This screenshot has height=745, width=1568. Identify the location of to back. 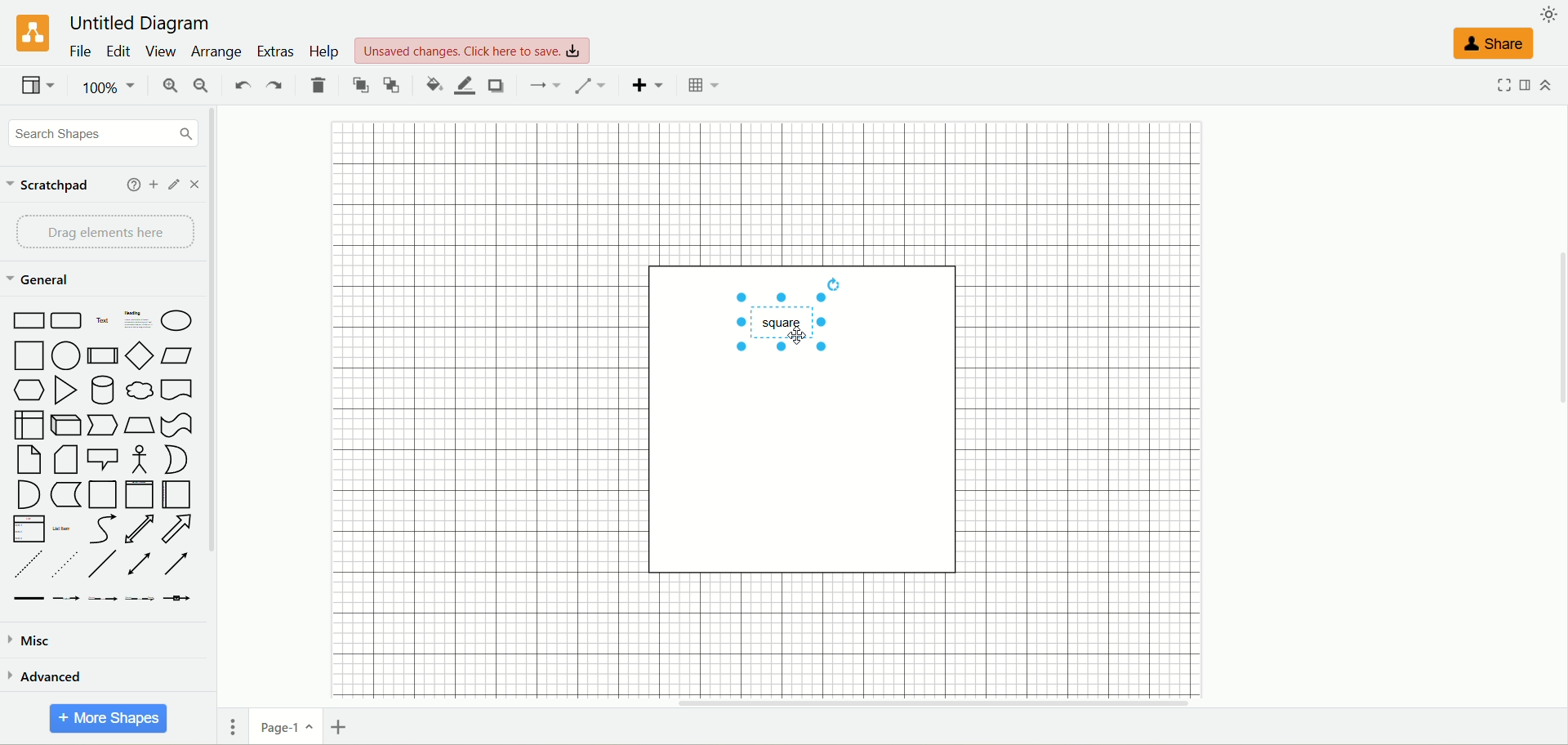
(391, 87).